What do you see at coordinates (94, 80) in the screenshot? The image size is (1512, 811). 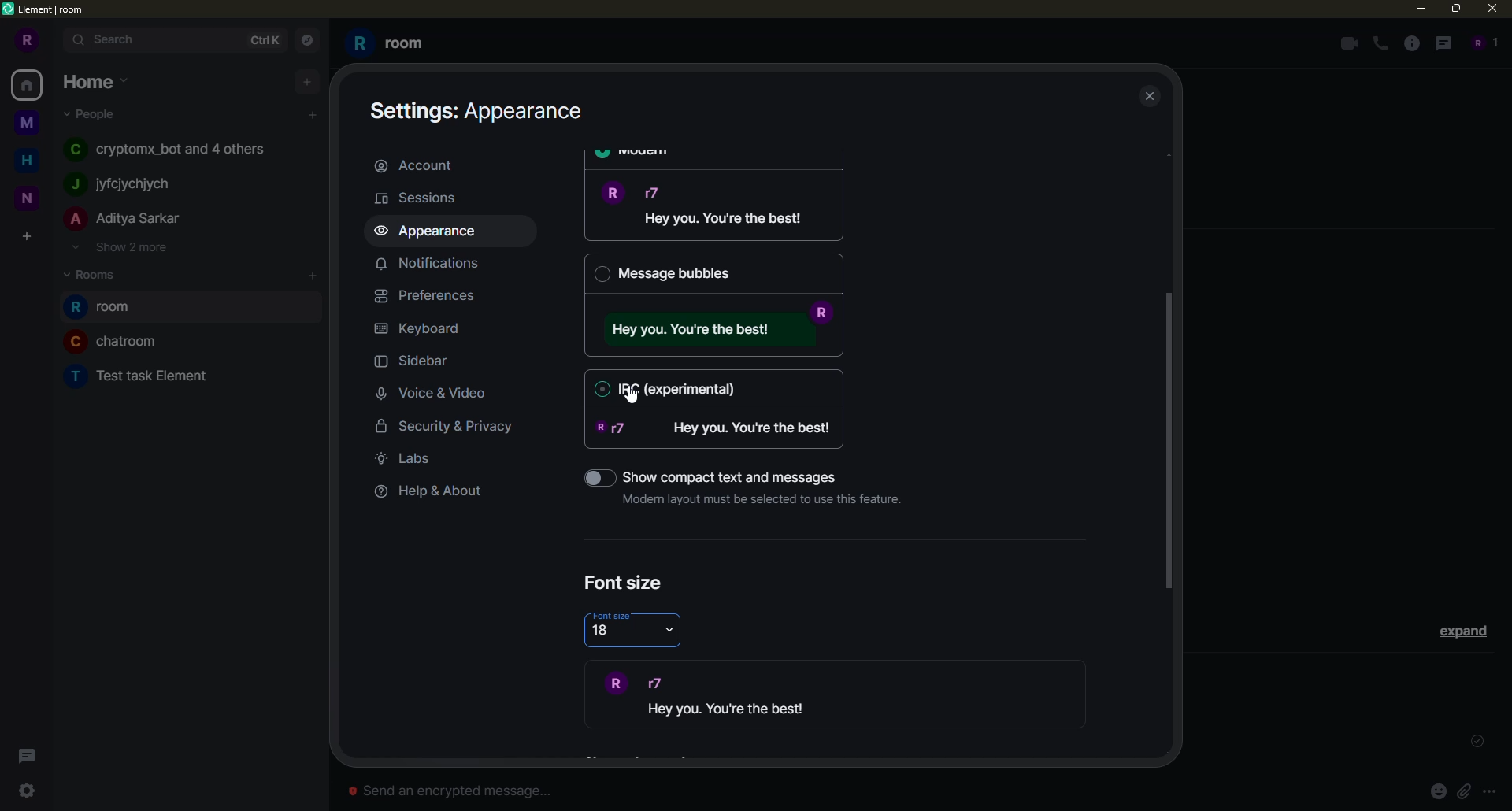 I see `home` at bounding box center [94, 80].